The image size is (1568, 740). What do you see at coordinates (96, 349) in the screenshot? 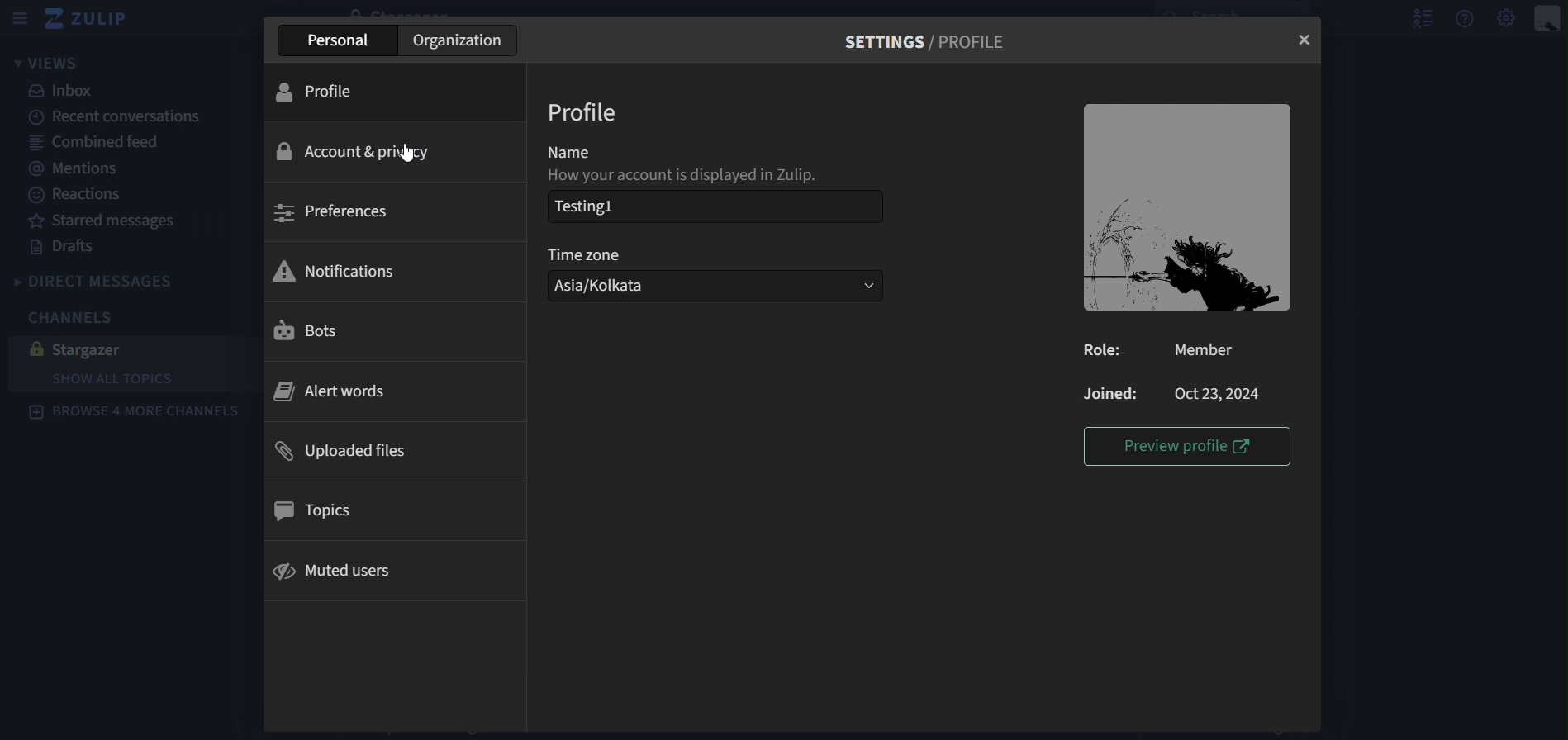
I see `stargazer` at bounding box center [96, 349].